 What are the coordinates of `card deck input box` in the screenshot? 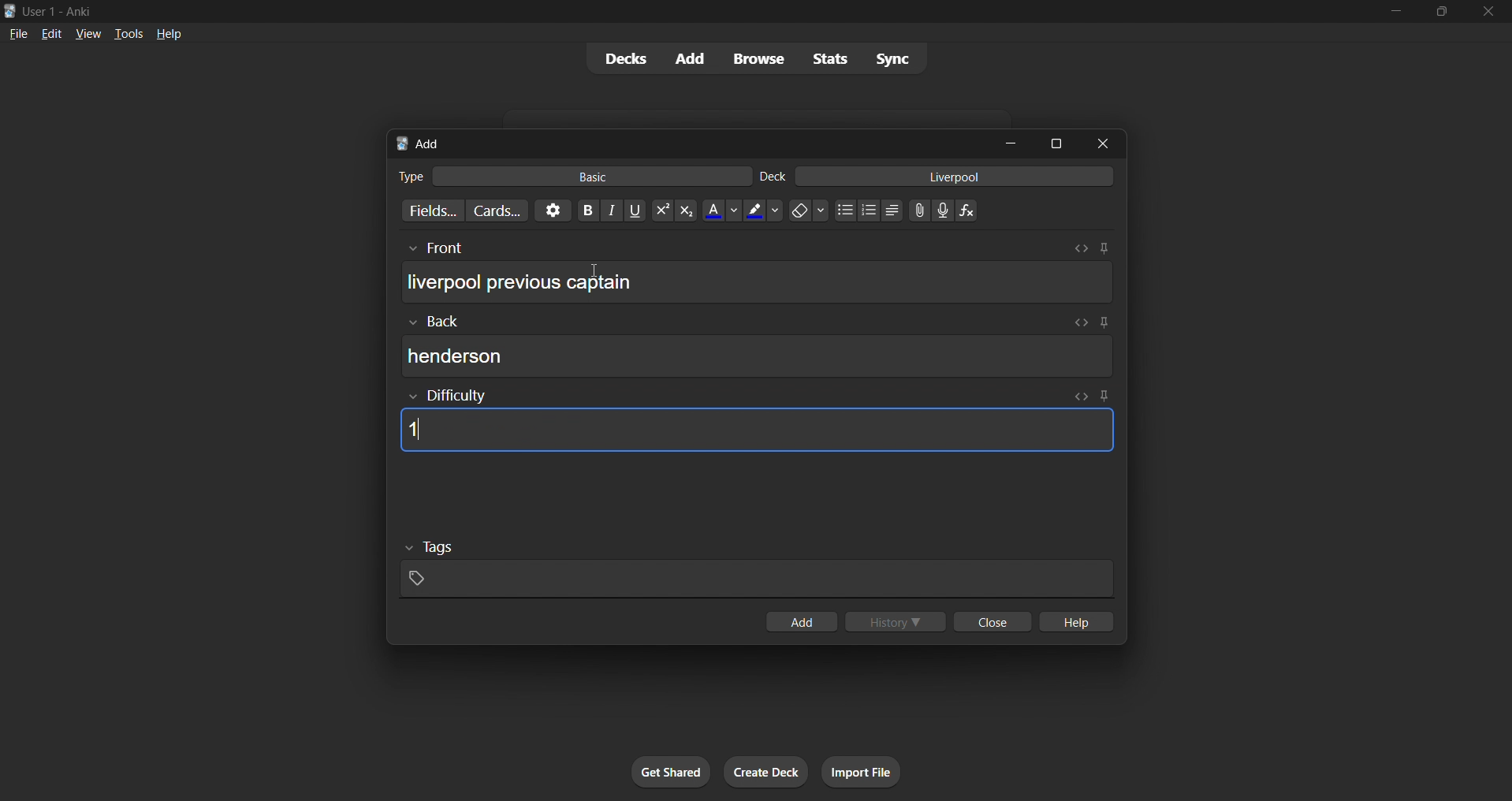 It's located at (940, 179).